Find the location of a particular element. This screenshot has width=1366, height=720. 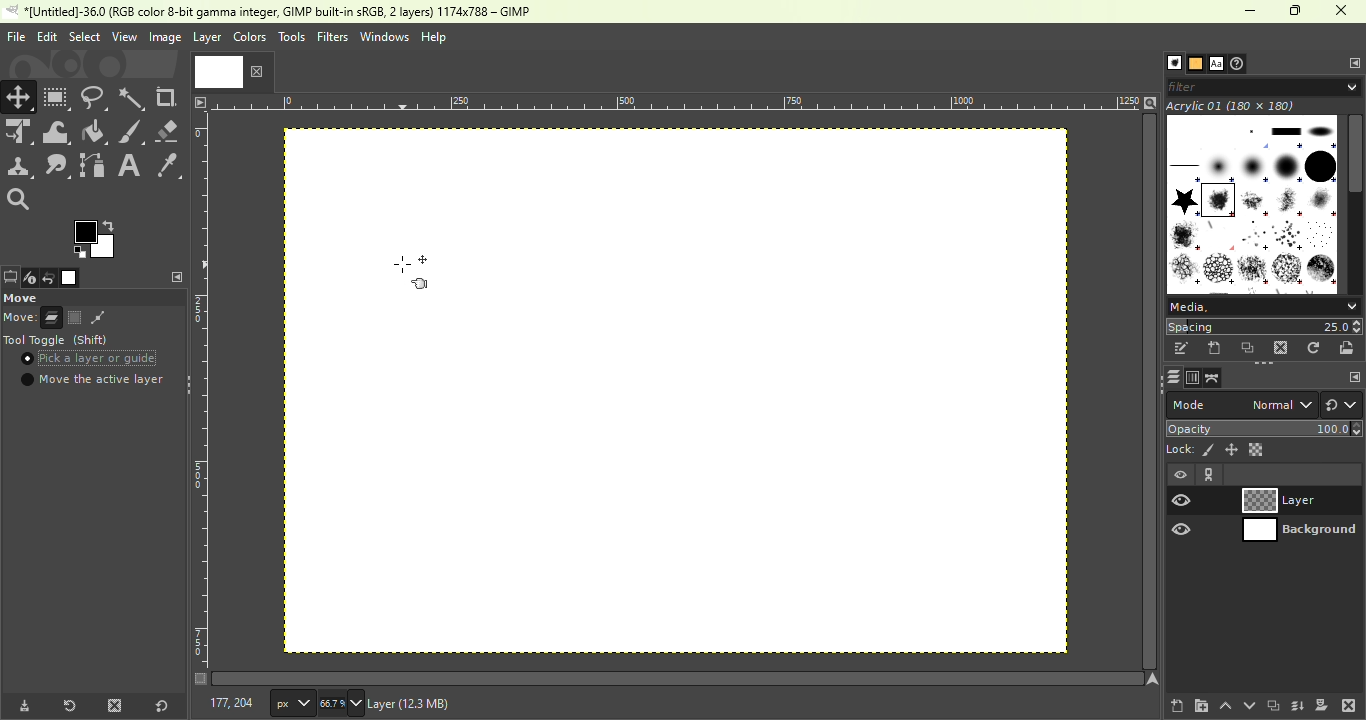

Subtract from the current selection is located at coordinates (98, 318).